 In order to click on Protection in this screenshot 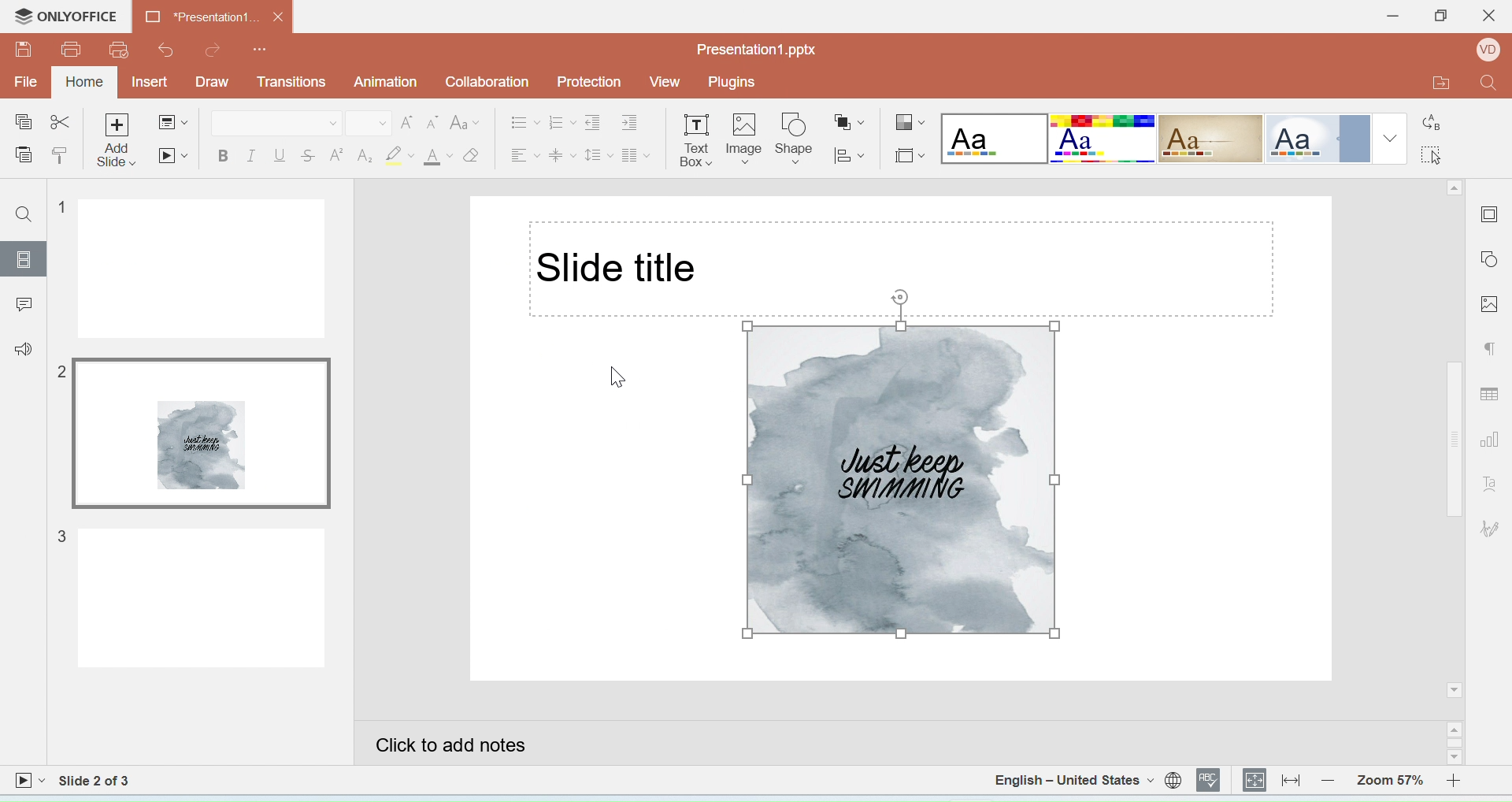, I will do `click(594, 83)`.